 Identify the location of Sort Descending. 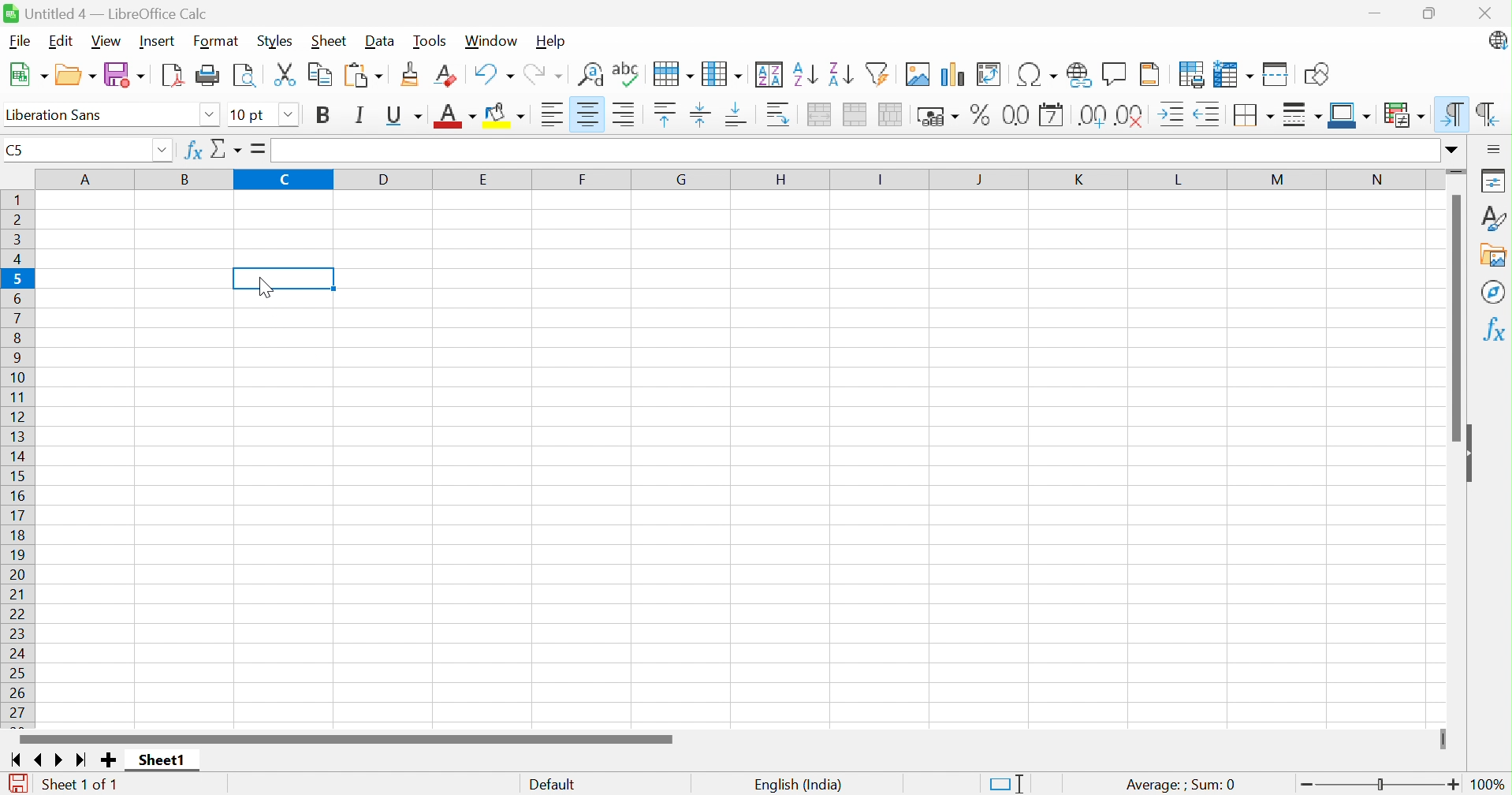
(840, 71).